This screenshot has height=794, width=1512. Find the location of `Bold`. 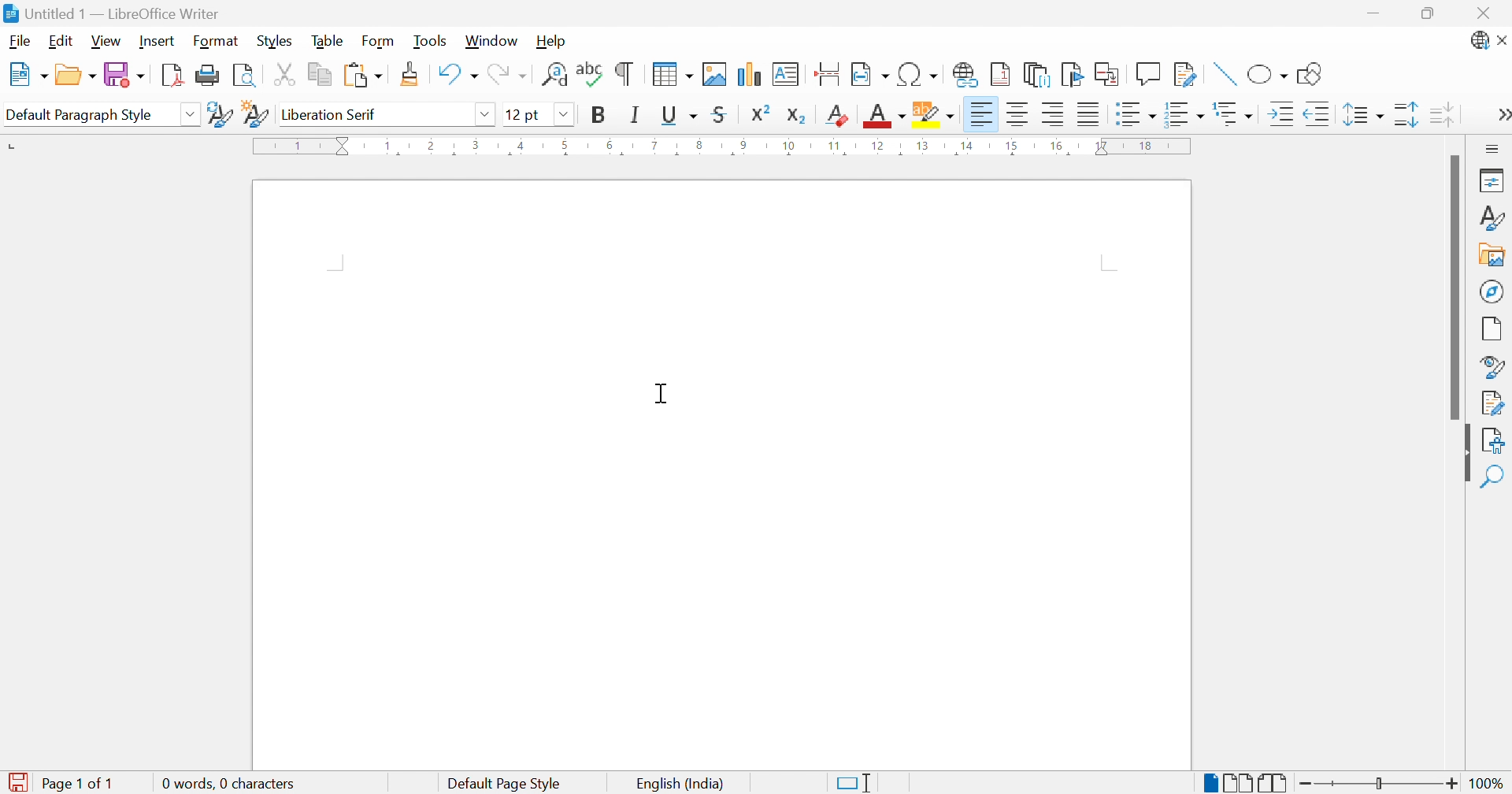

Bold is located at coordinates (598, 114).